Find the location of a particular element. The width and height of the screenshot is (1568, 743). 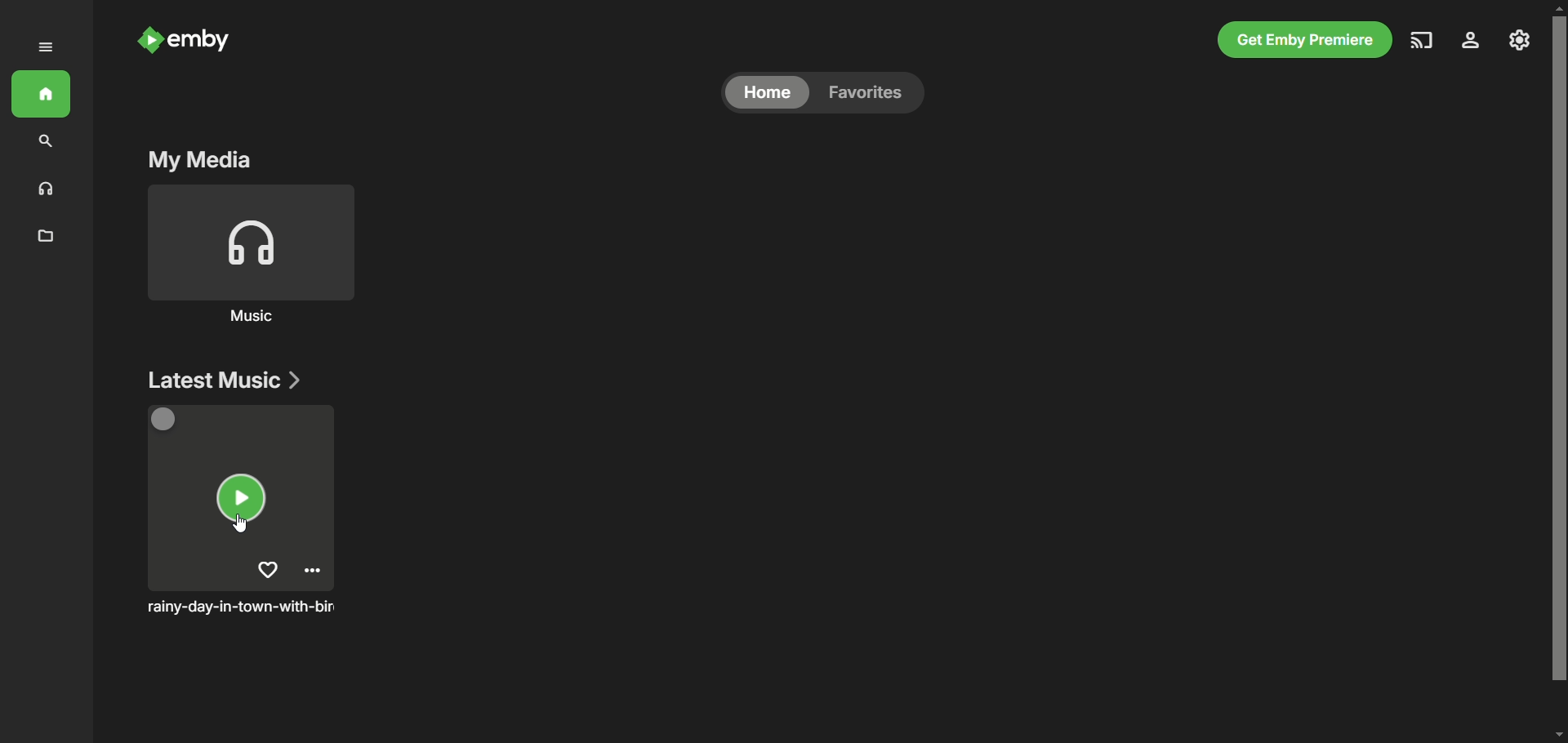

music is located at coordinates (43, 189).